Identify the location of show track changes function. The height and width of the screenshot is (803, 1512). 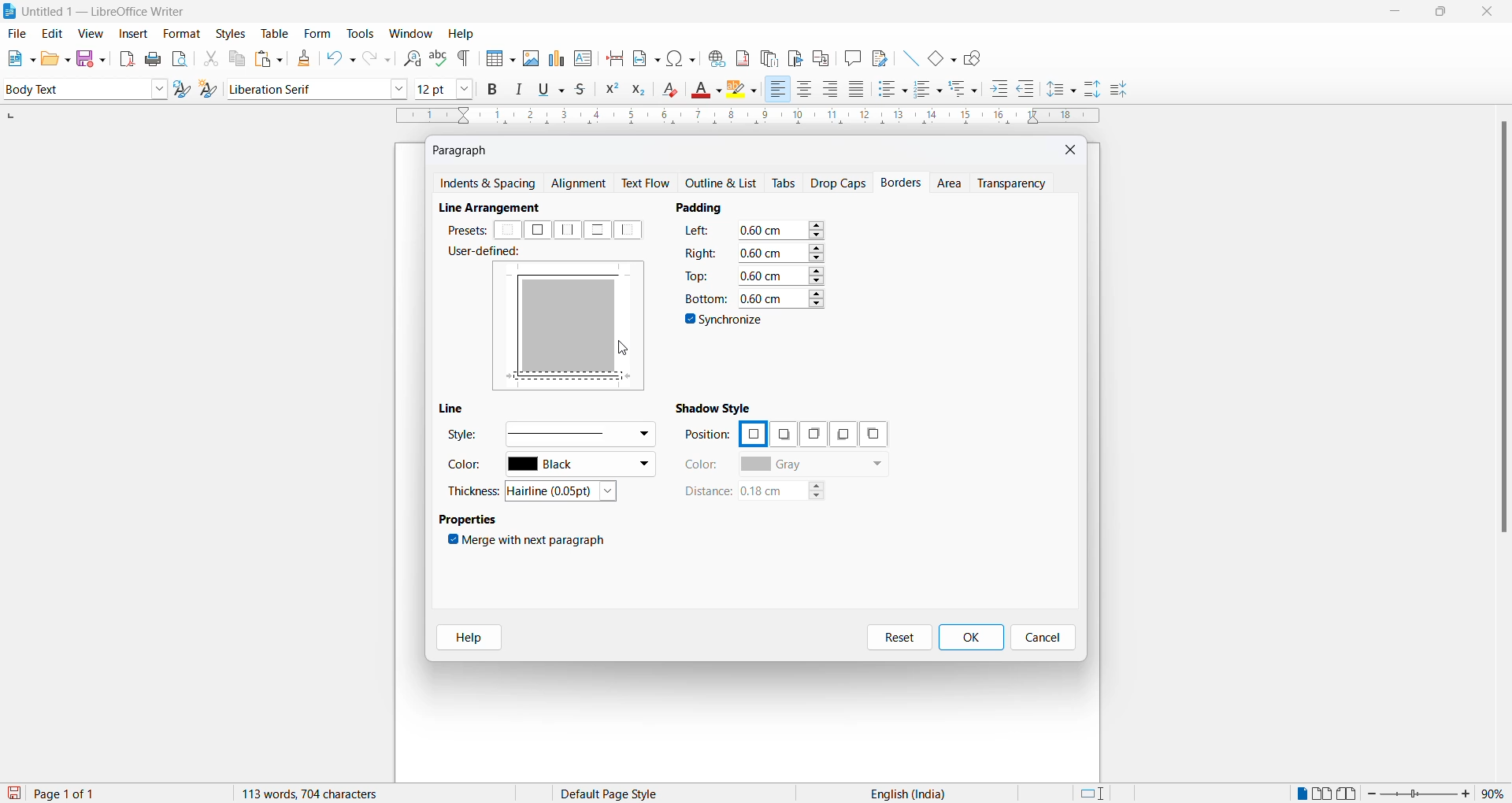
(821, 57).